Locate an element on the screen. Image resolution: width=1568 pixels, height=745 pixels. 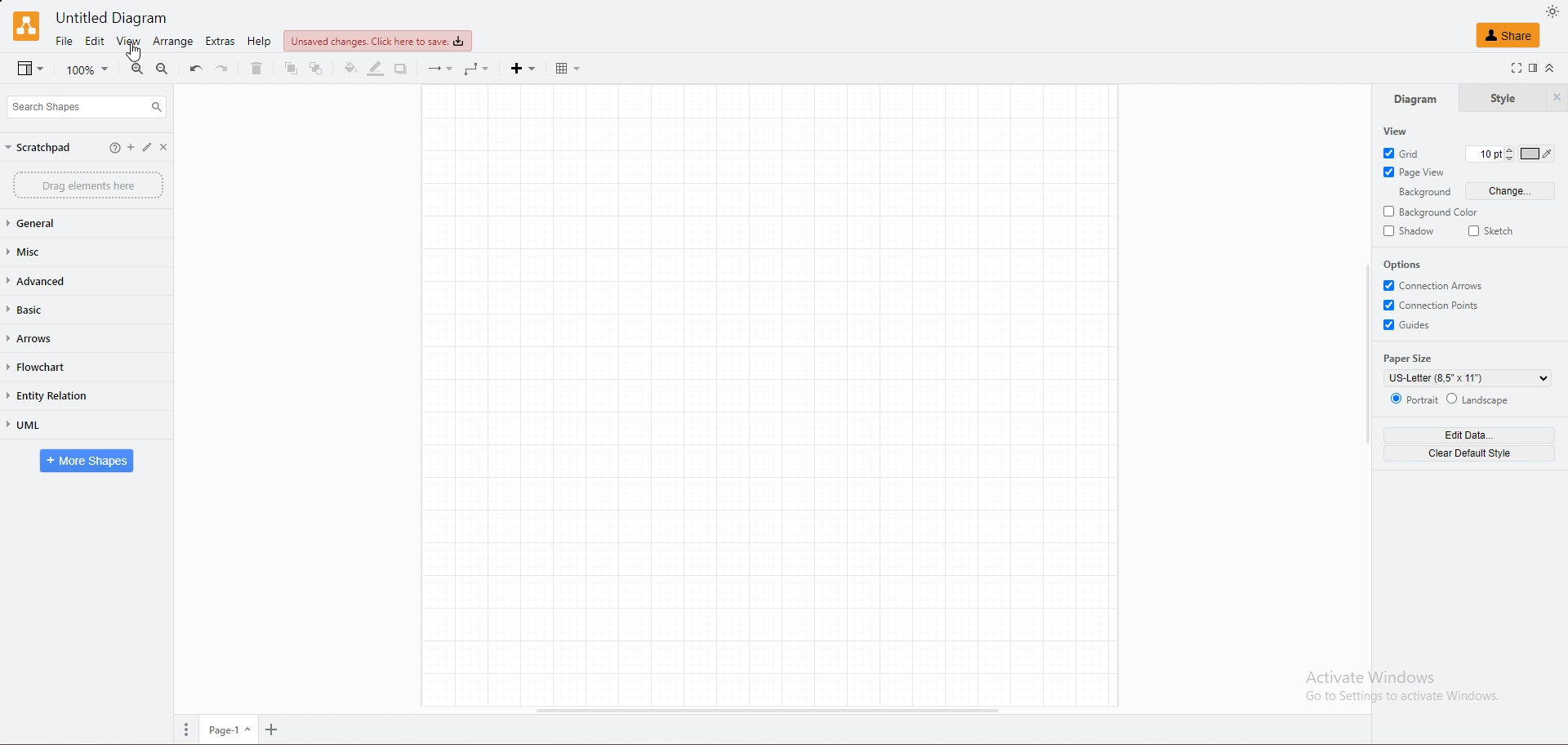
connection is located at coordinates (440, 69).